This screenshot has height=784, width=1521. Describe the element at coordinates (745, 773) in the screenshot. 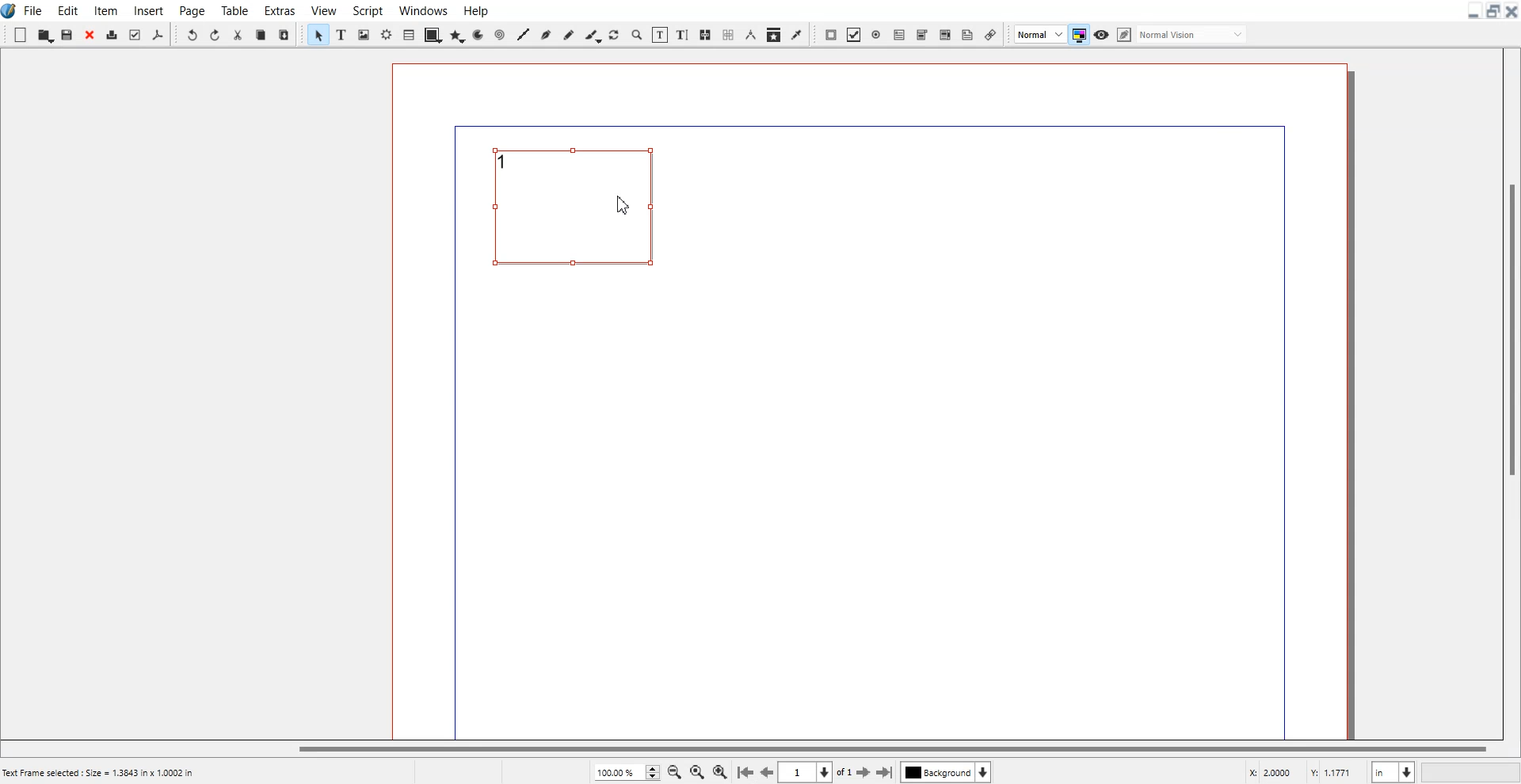

I see `Go to first Page` at that location.